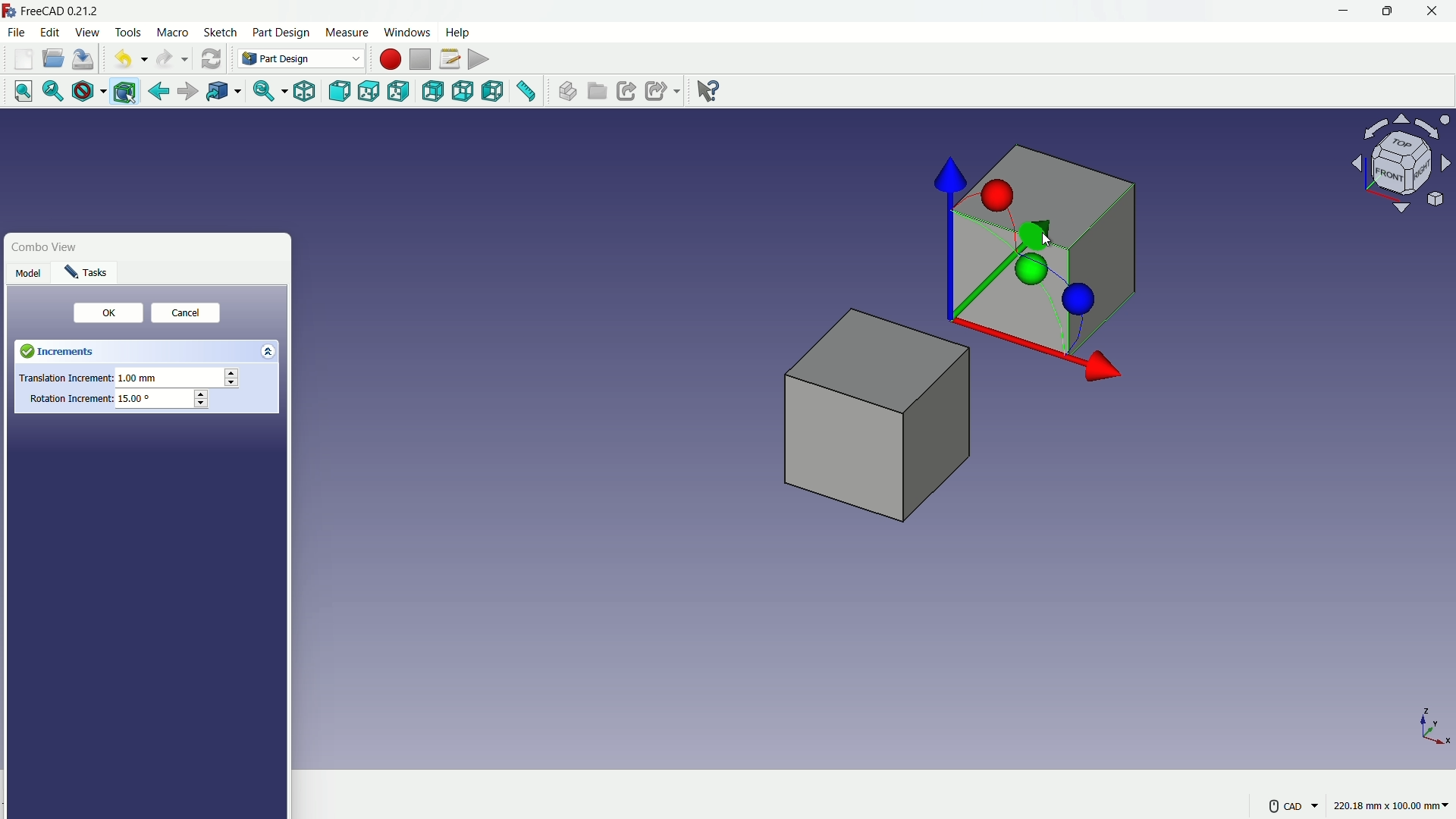 This screenshot has width=1456, height=819. Describe the element at coordinates (372, 91) in the screenshot. I see `top view` at that location.